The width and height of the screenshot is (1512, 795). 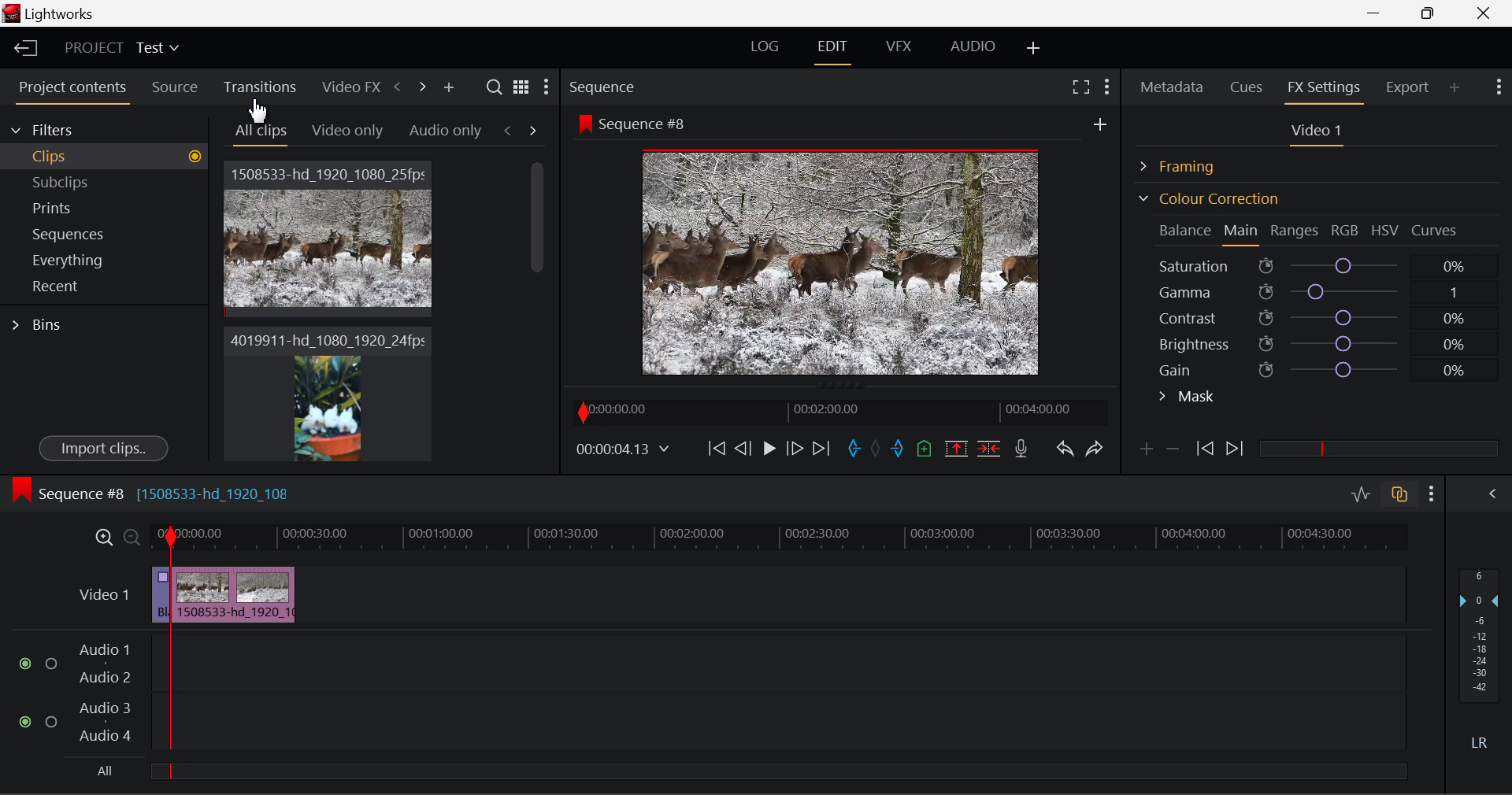 I want to click on Saturation, so click(x=1314, y=263).